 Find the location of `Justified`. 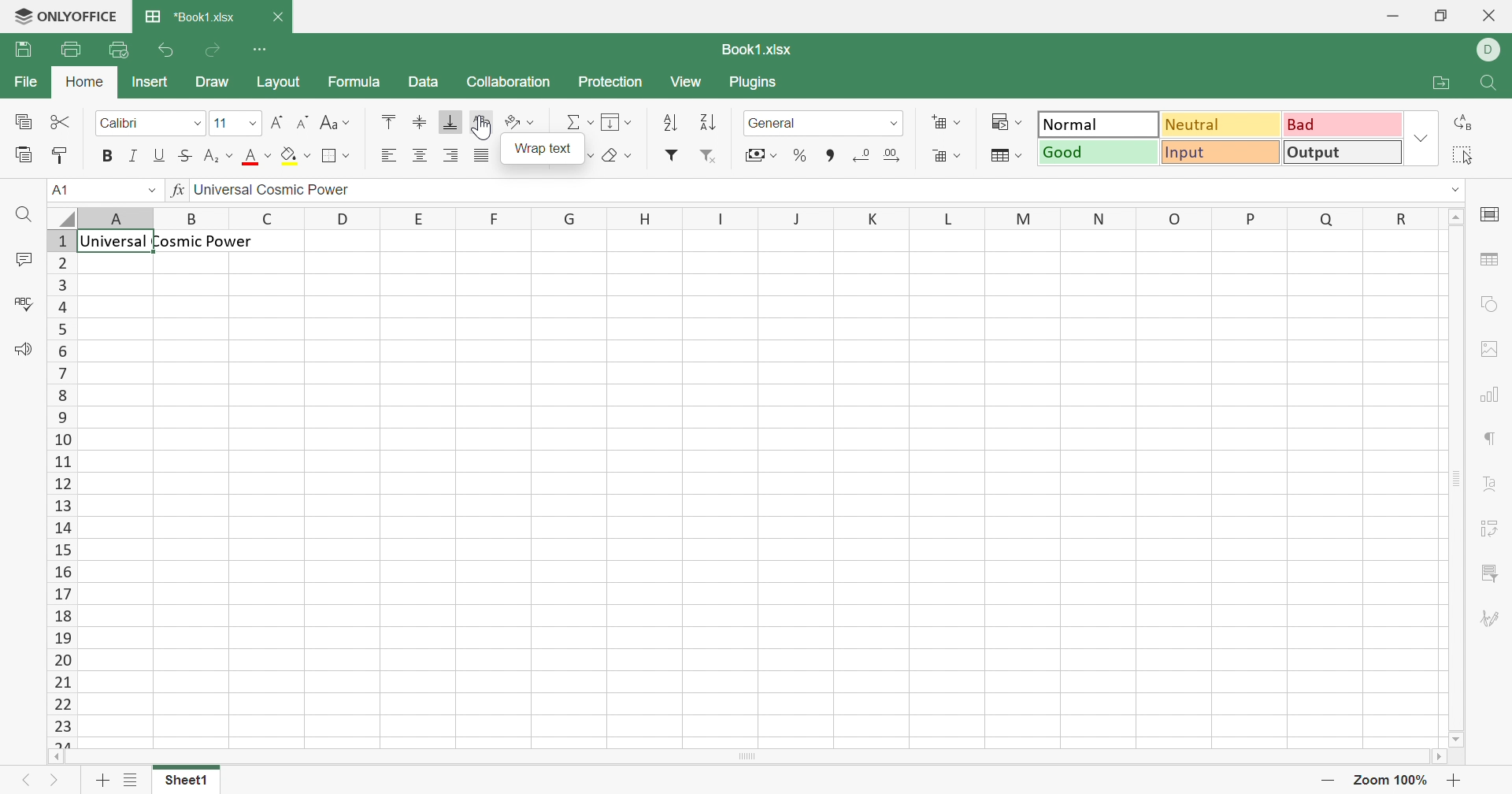

Justified is located at coordinates (485, 155).